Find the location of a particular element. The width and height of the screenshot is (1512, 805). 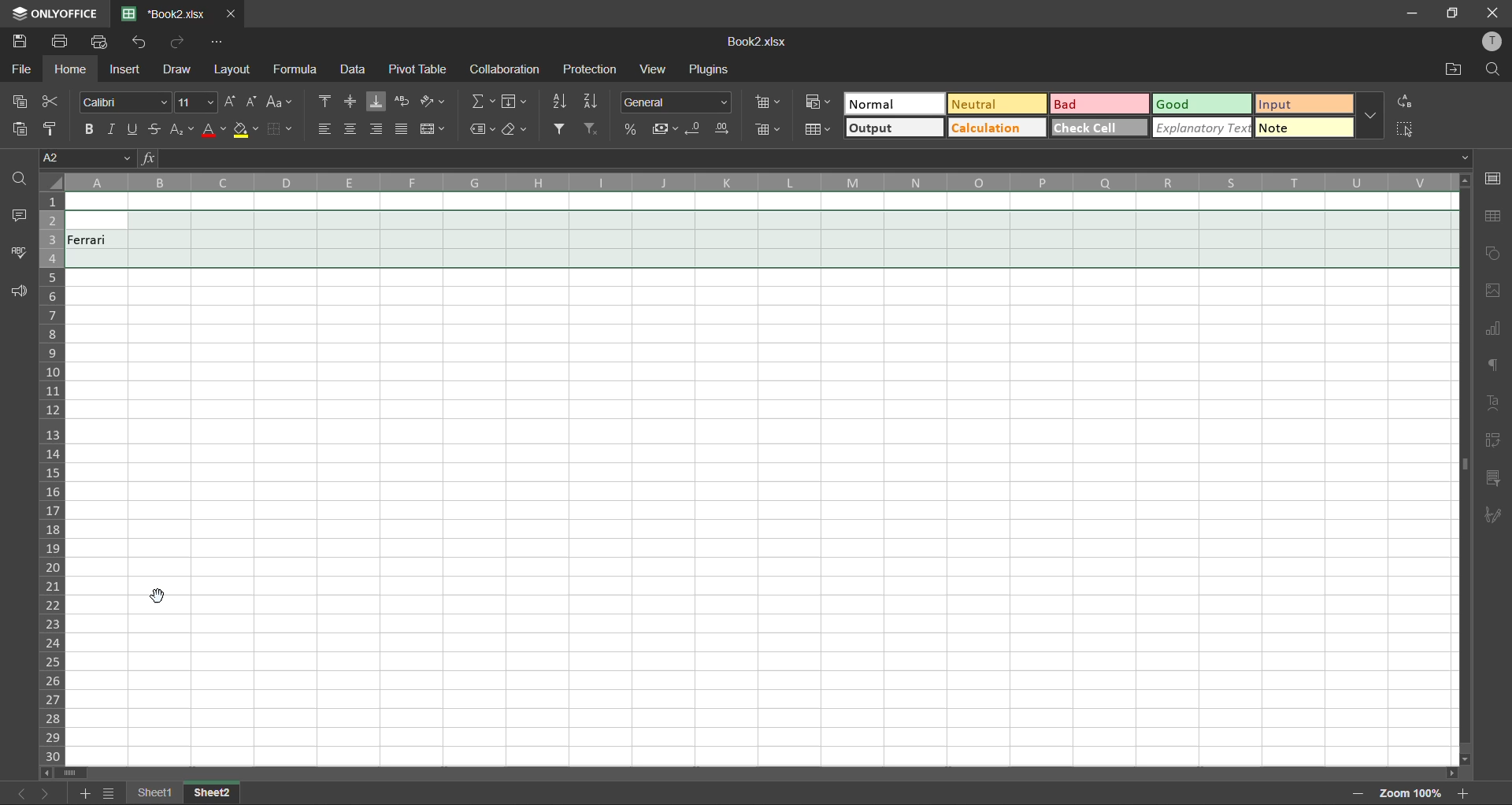

sheet names is located at coordinates (158, 792).